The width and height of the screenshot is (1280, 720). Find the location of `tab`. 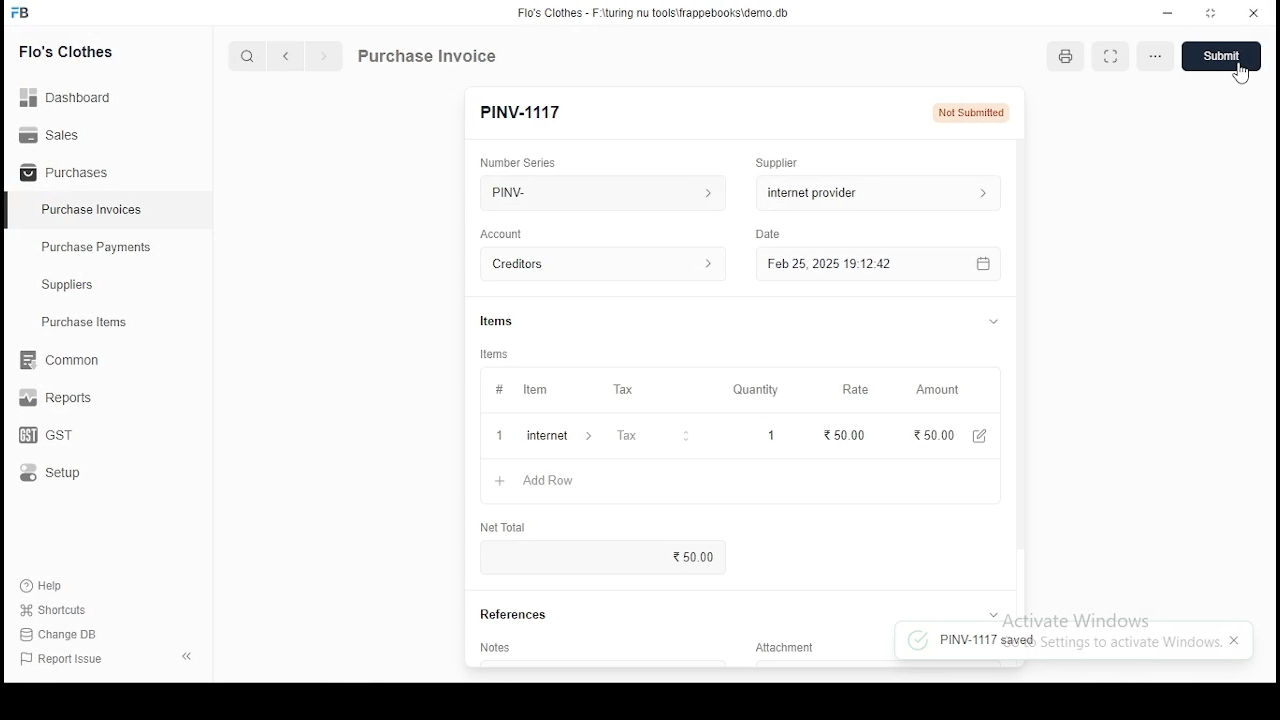

tab is located at coordinates (994, 321).